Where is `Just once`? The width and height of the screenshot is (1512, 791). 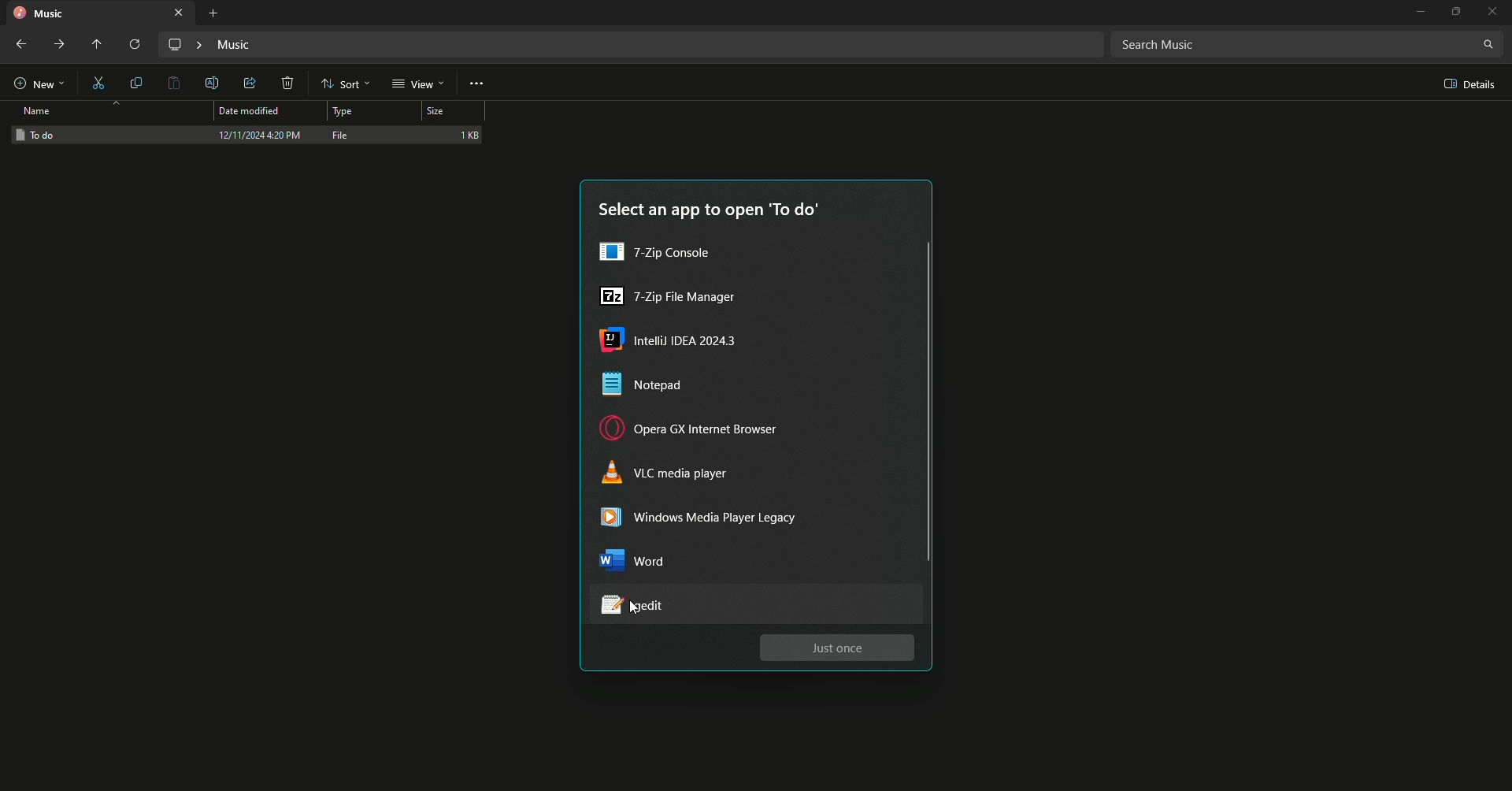
Just once is located at coordinates (837, 648).